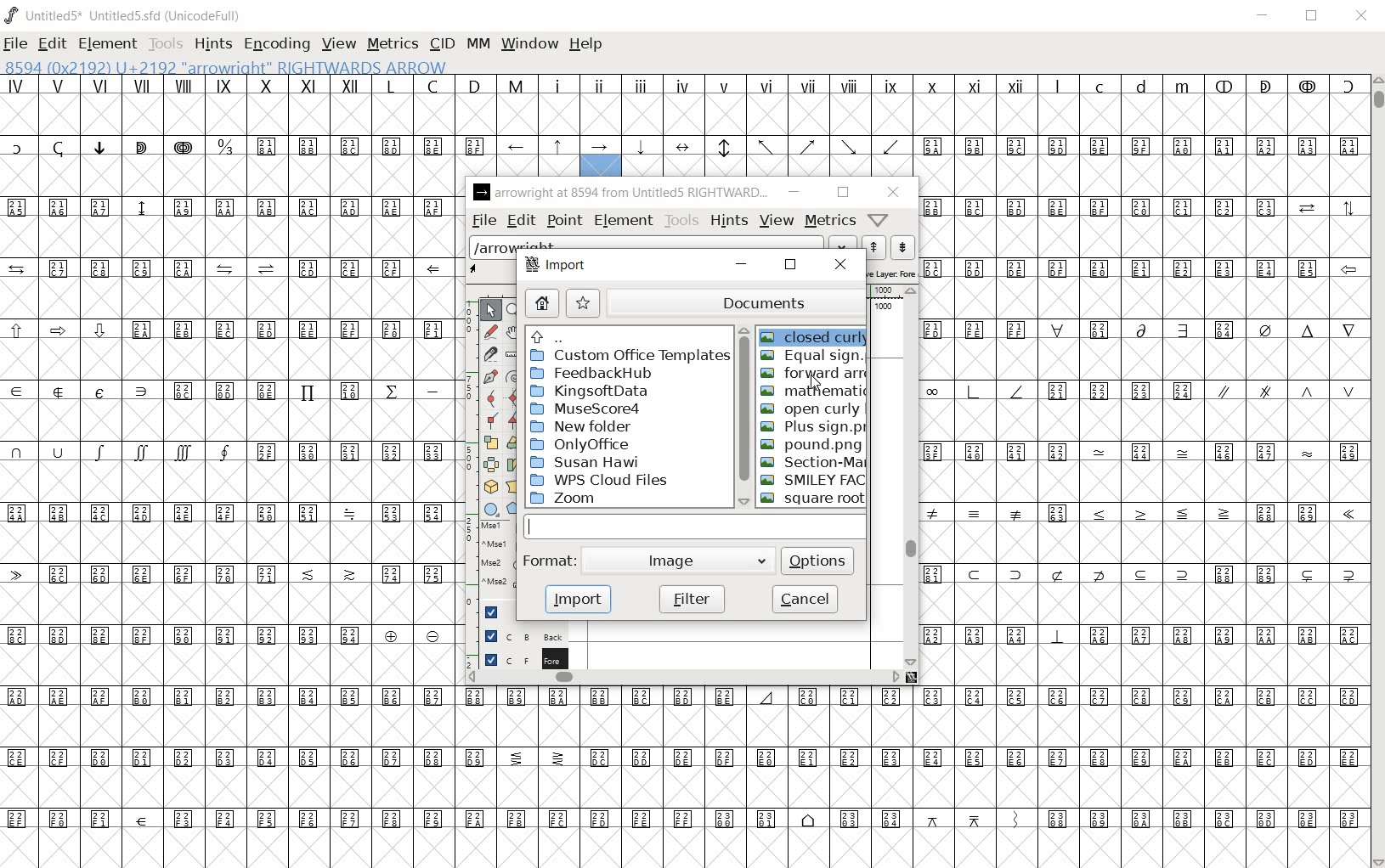 Image resolution: width=1385 pixels, height=868 pixels. I want to click on close, so click(894, 194).